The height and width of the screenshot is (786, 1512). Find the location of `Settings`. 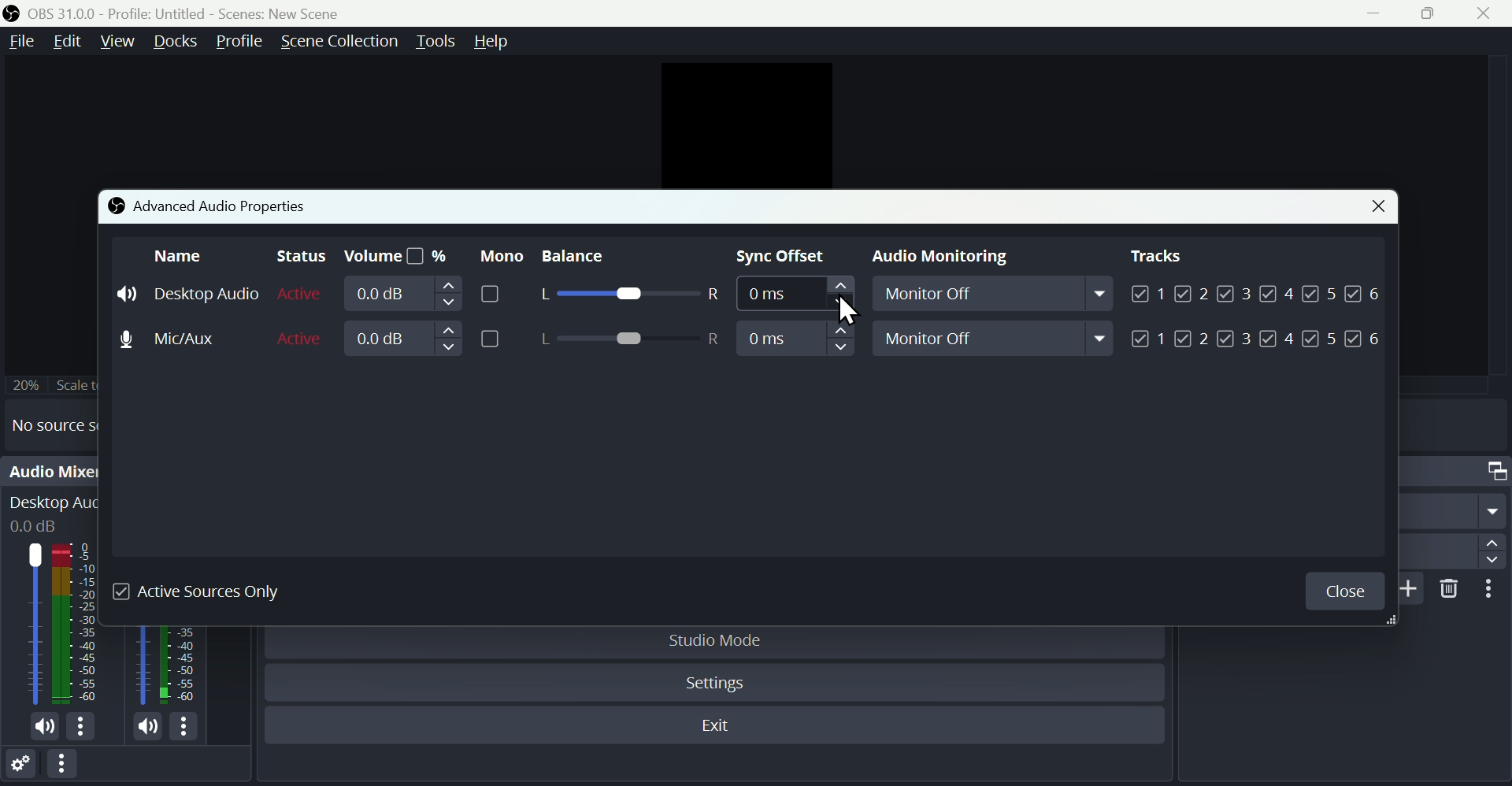

Settings is located at coordinates (20, 767).